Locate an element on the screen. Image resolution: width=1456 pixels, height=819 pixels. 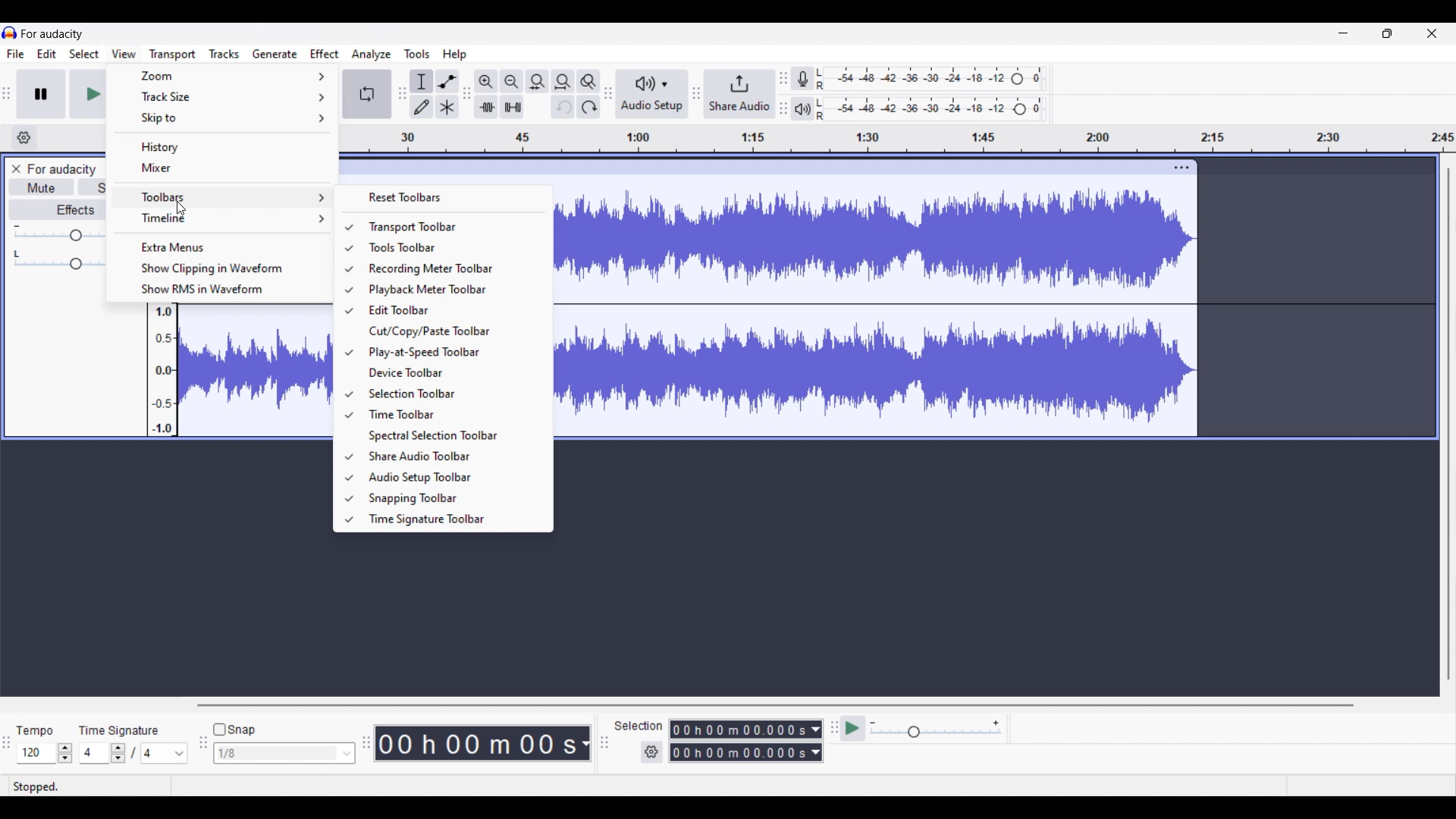
play at speed is located at coordinates (851, 729).